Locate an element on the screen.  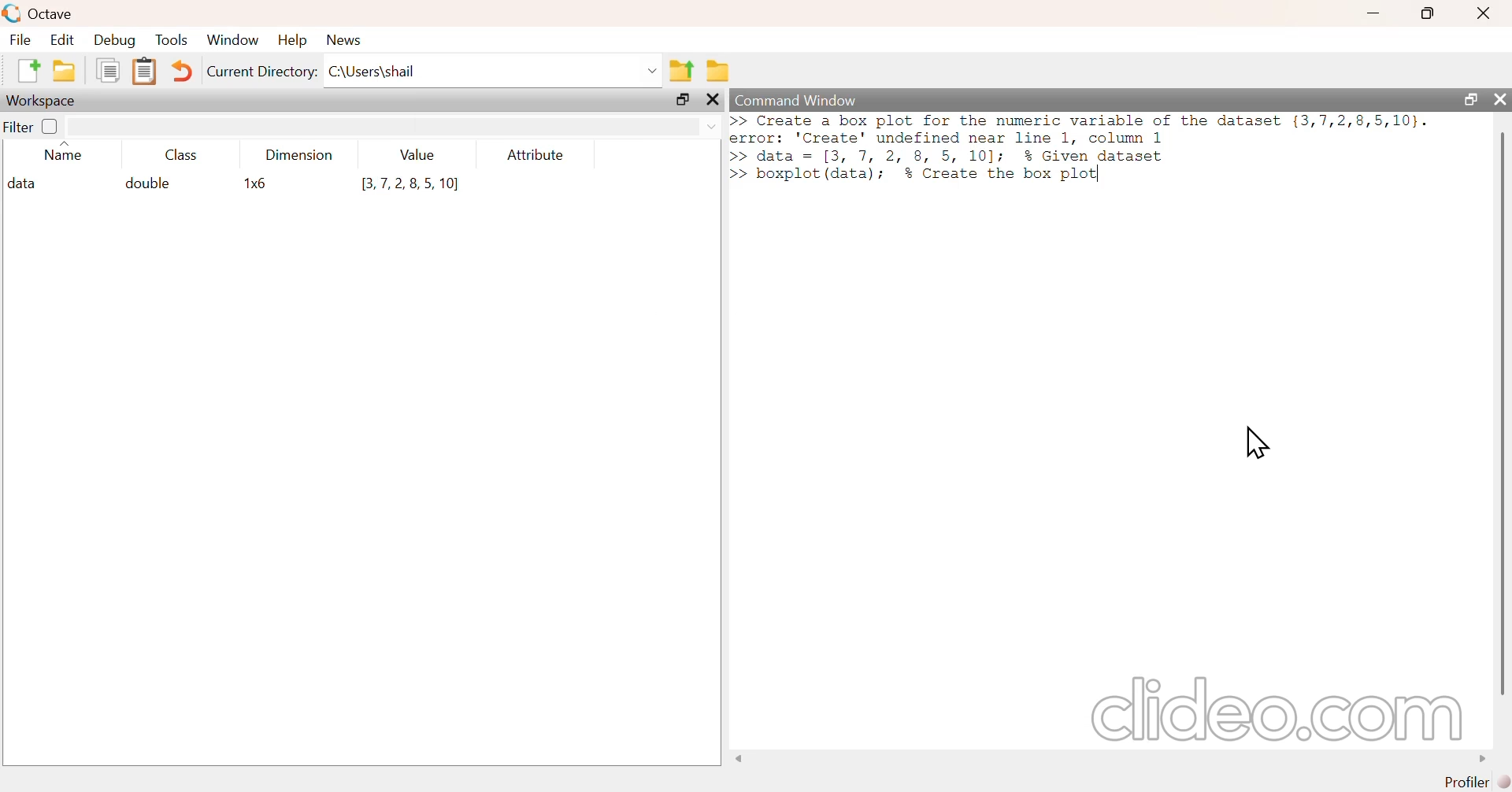
filter input field is located at coordinates (395, 125).